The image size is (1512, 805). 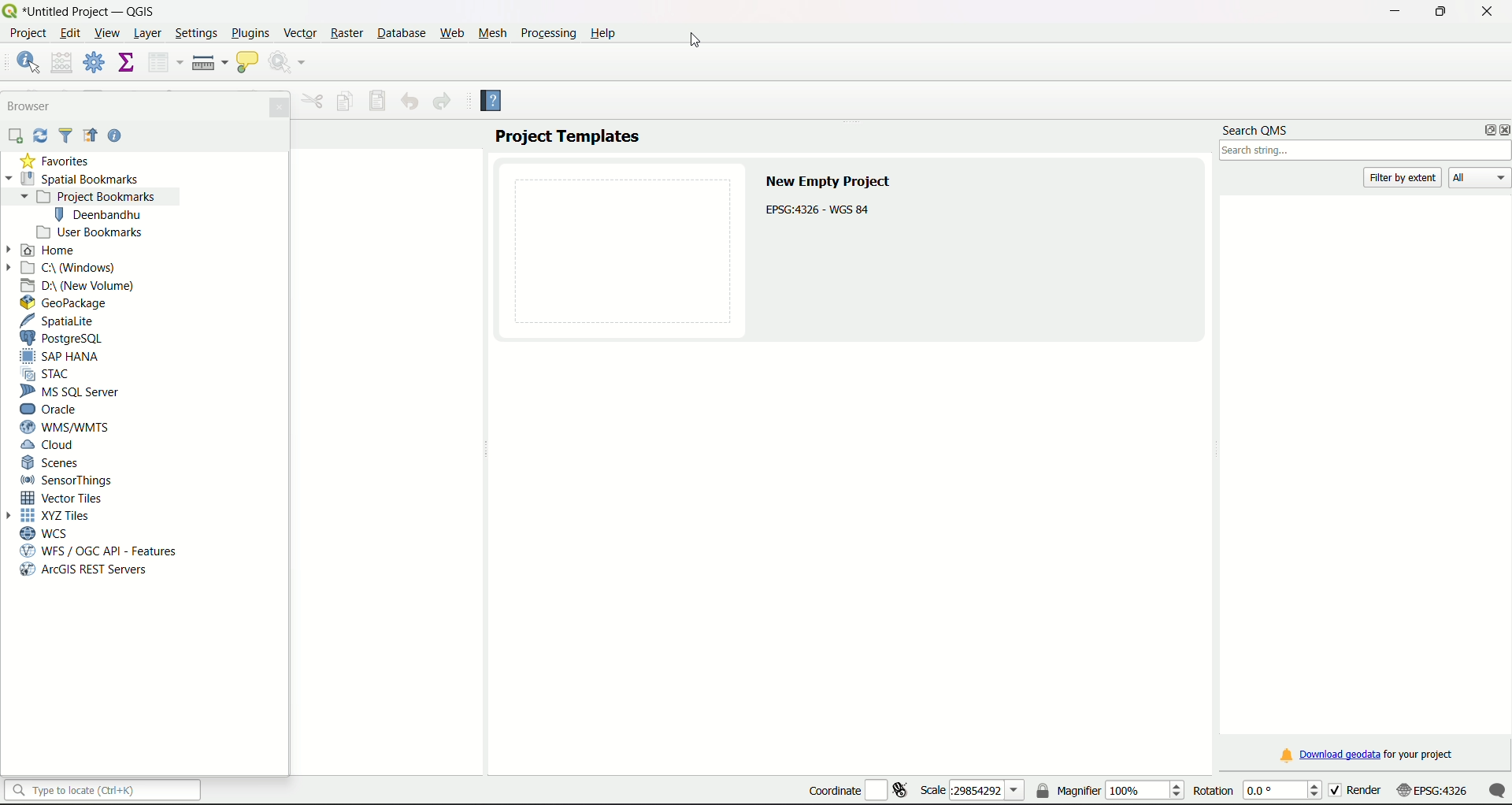 I want to click on close, so click(x=1503, y=131).